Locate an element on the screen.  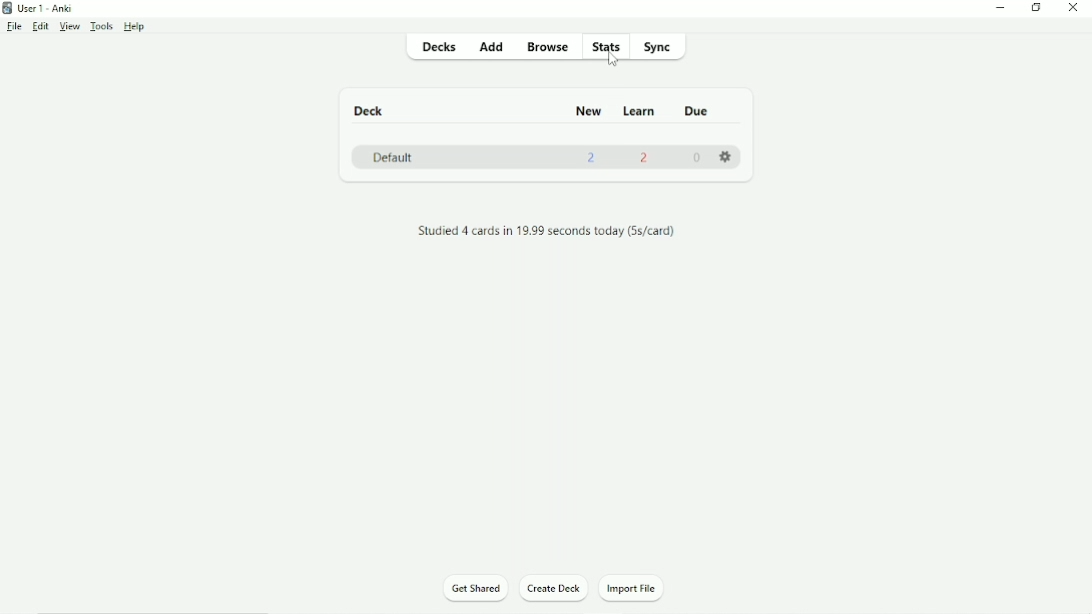
Minimize is located at coordinates (1001, 8).